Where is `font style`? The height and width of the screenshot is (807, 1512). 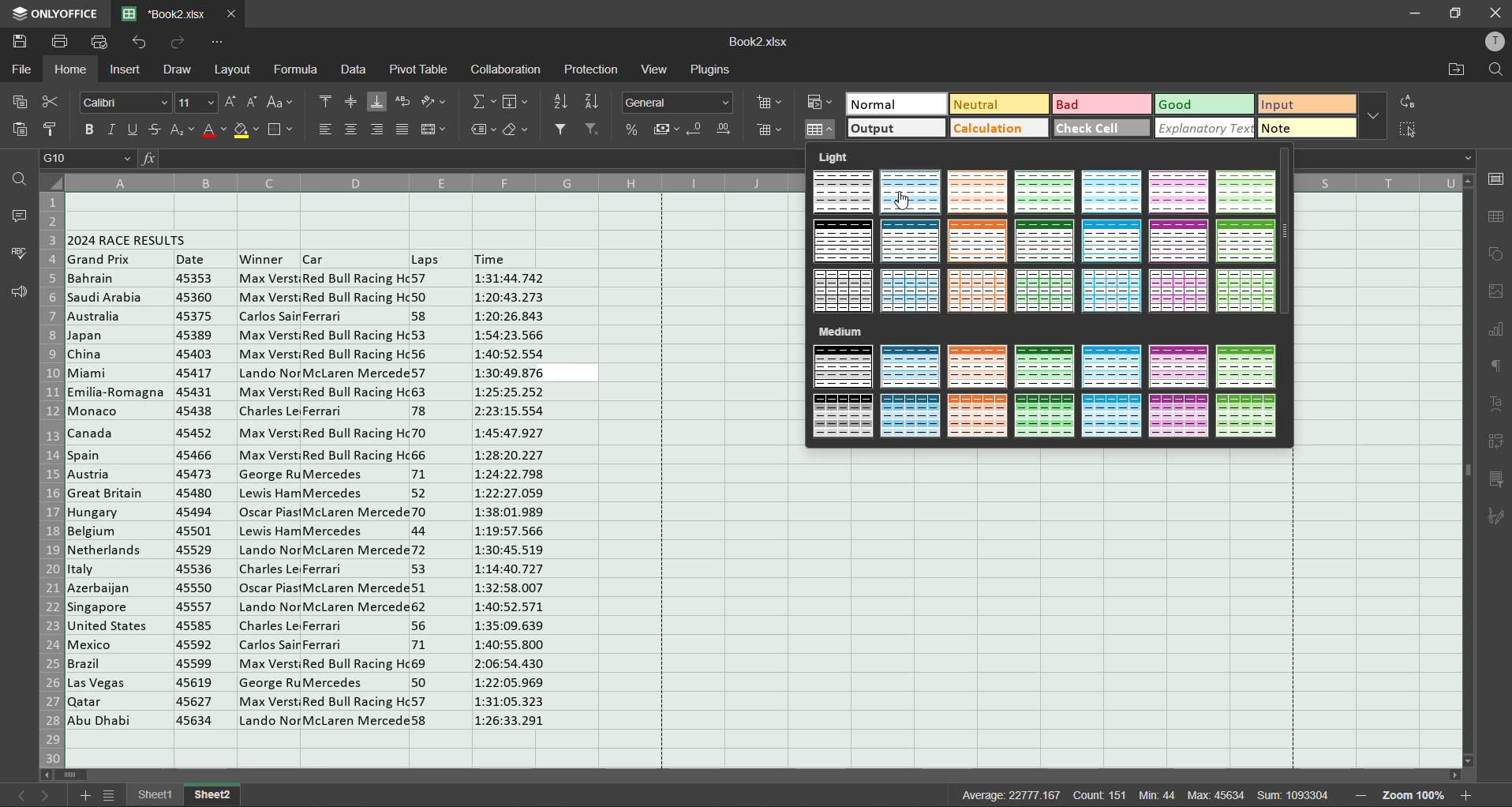 font style is located at coordinates (124, 103).